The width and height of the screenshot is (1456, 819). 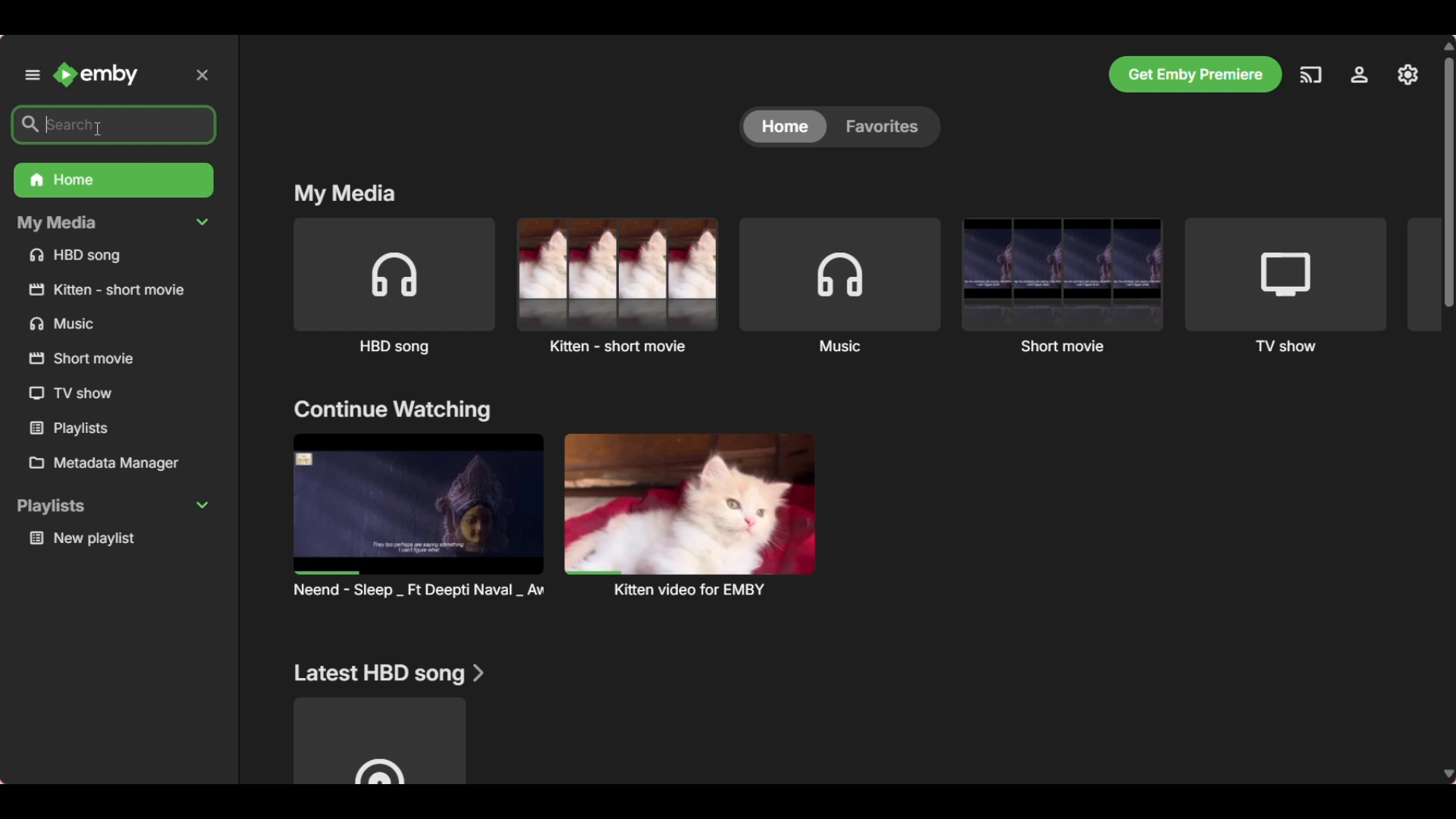 What do you see at coordinates (113, 507) in the screenshot?
I see `Collapse playlists` at bounding box center [113, 507].